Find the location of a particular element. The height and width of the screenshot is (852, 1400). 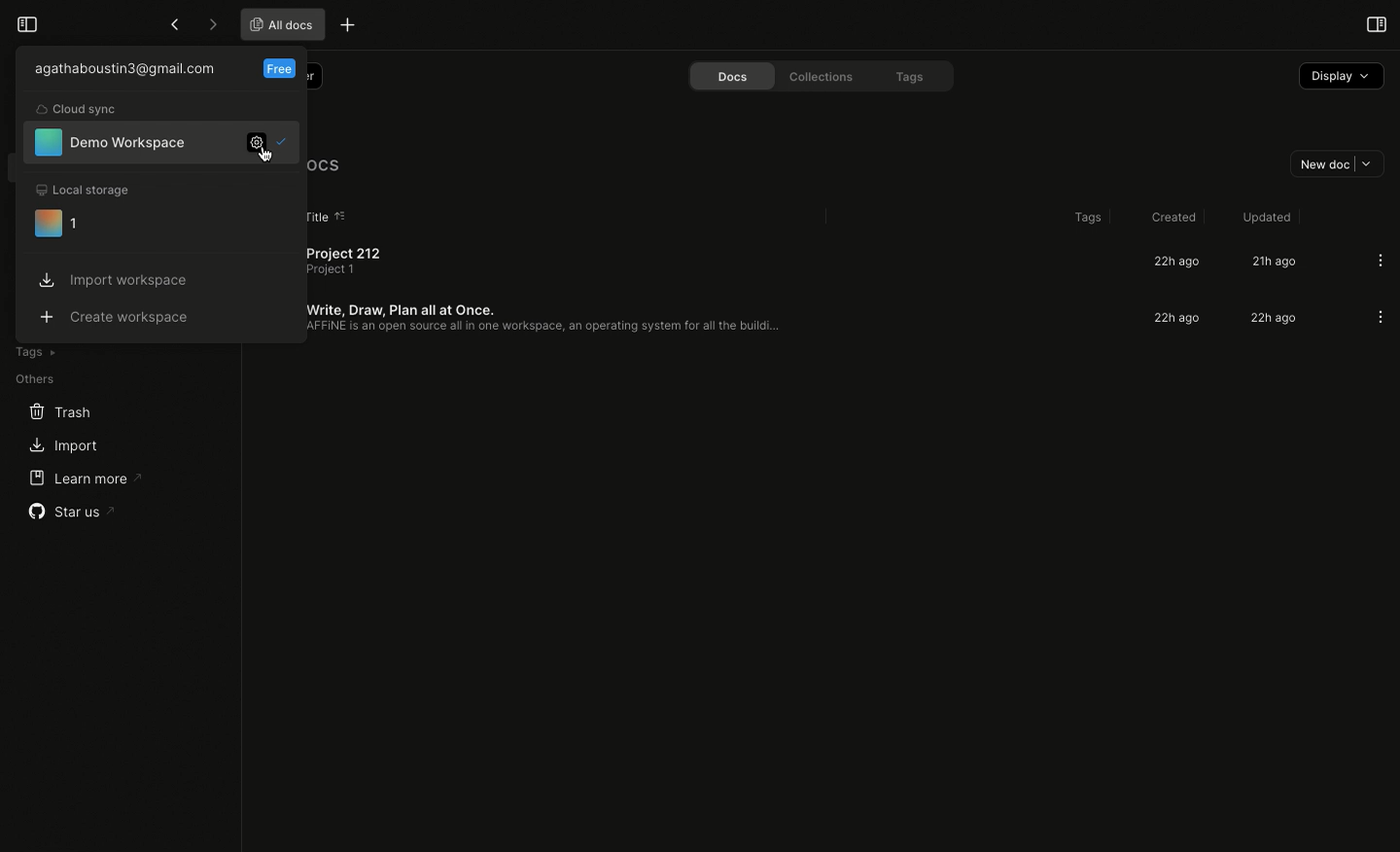

Open right panel is located at coordinates (1374, 23).